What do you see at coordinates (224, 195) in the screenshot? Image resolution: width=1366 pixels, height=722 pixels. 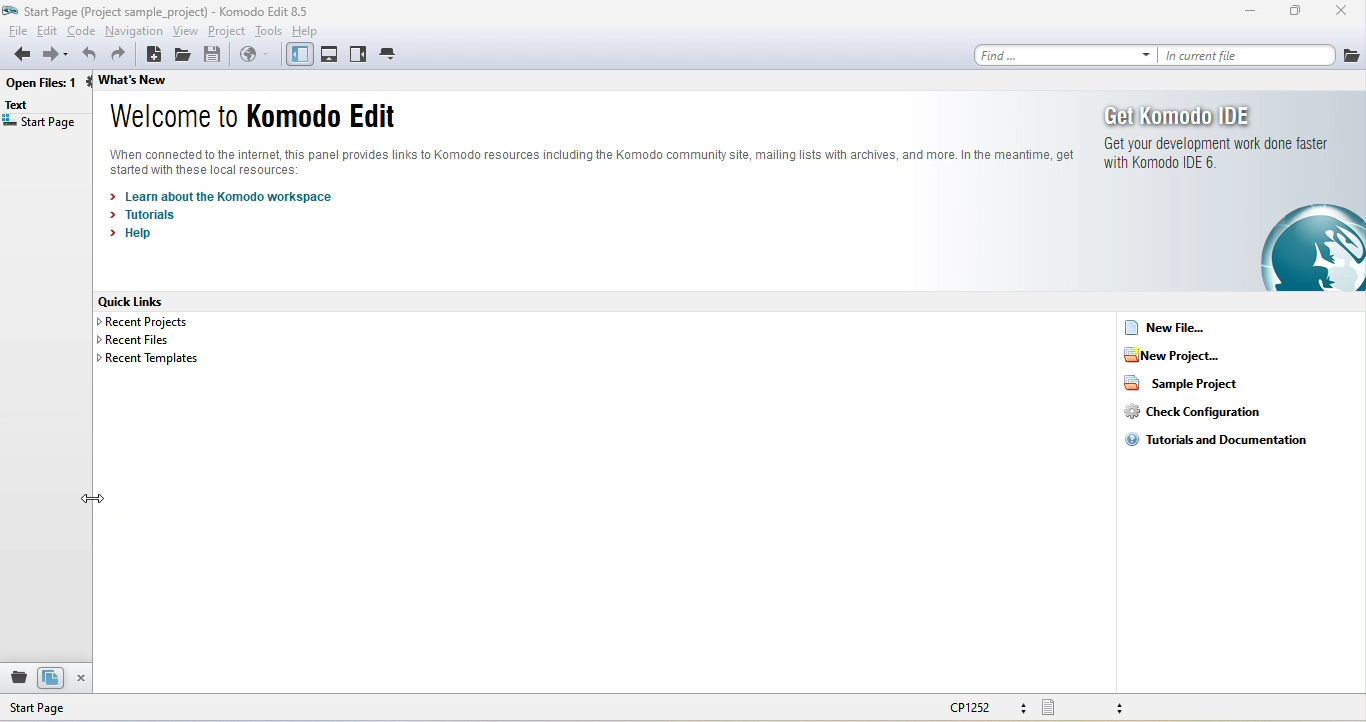 I see `learn about the komodo workspace` at bounding box center [224, 195].